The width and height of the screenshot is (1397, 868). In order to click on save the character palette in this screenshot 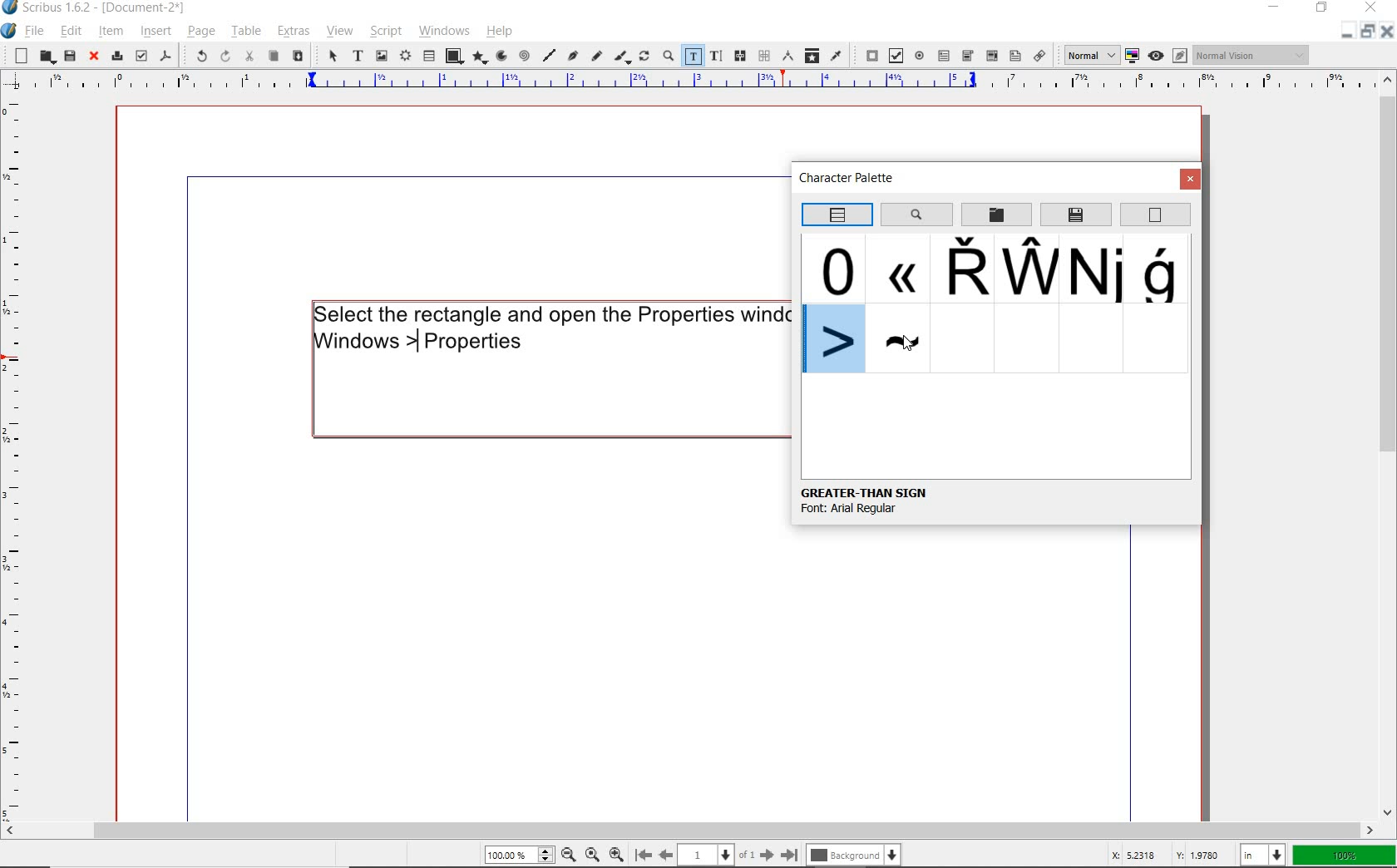, I will do `click(1077, 215)`.